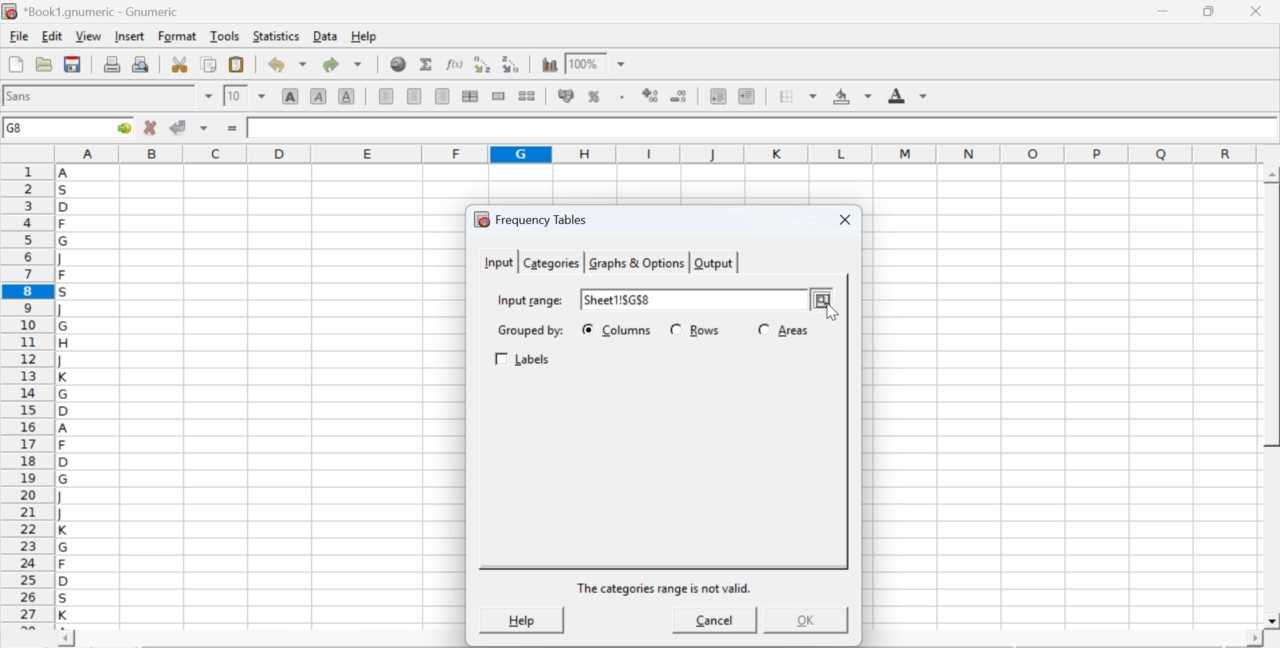  What do you see at coordinates (550, 263) in the screenshot?
I see `categories` at bounding box center [550, 263].